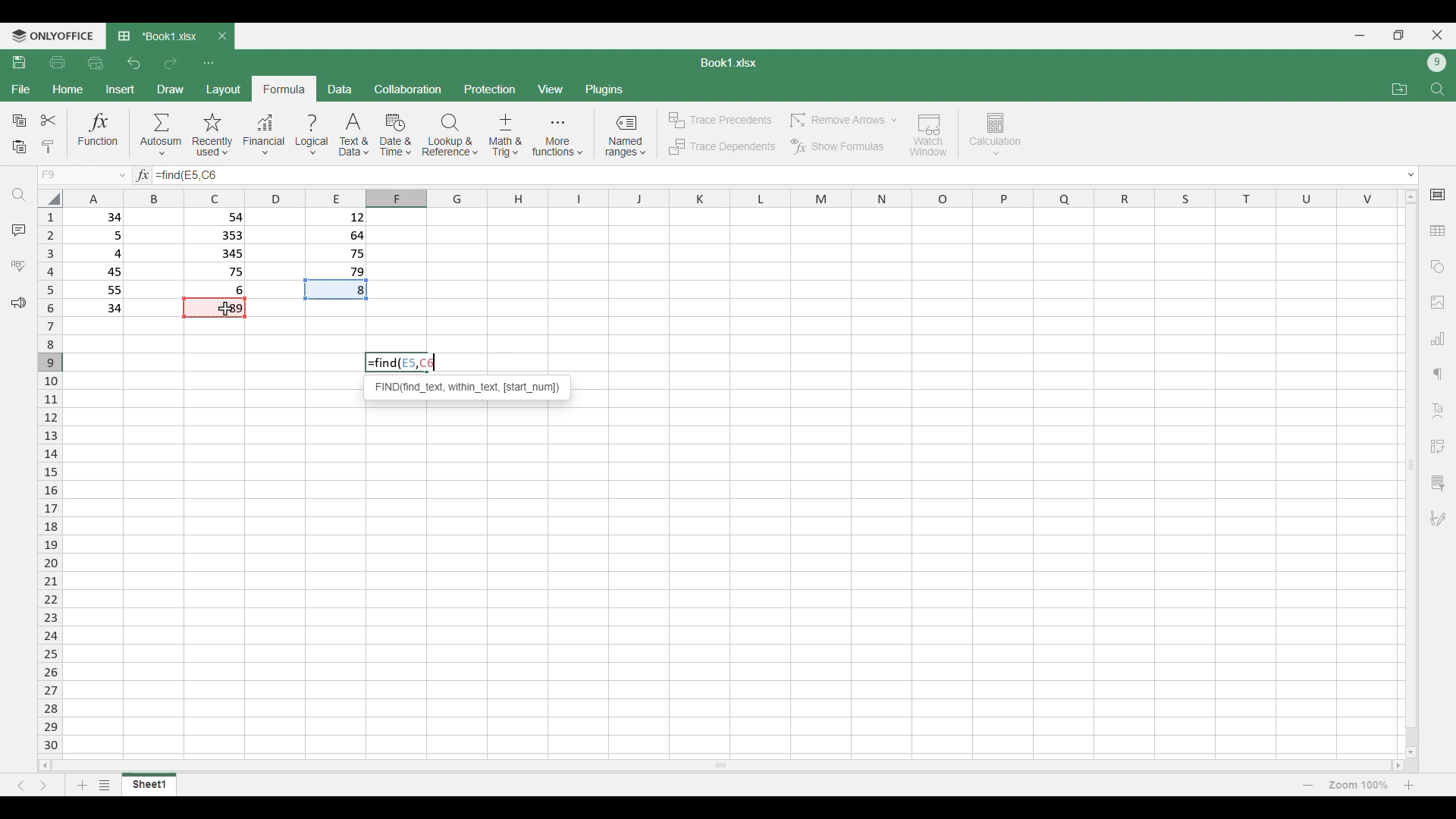  What do you see at coordinates (550, 89) in the screenshot?
I see `View menu` at bounding box center [550, 89].